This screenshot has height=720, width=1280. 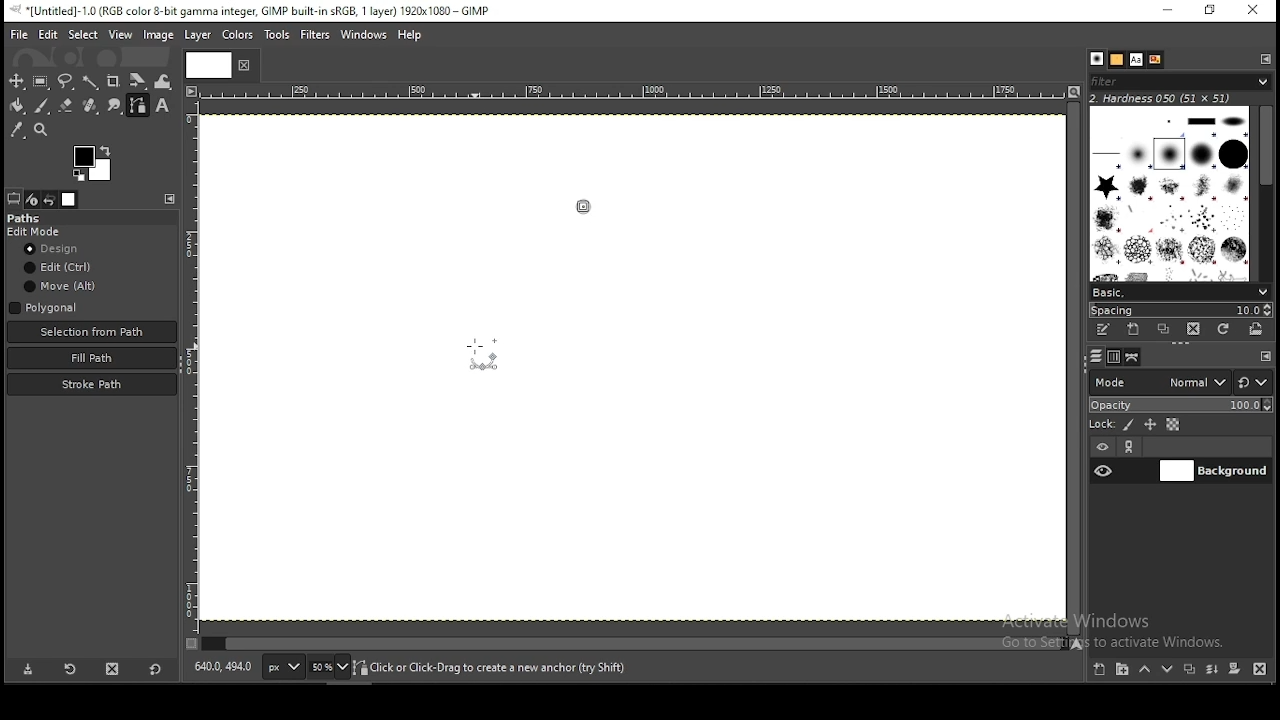 What do you see at coordinates (632, 645) in the screenshot?
I see `scroll bar` at bounding box center [632, 645].